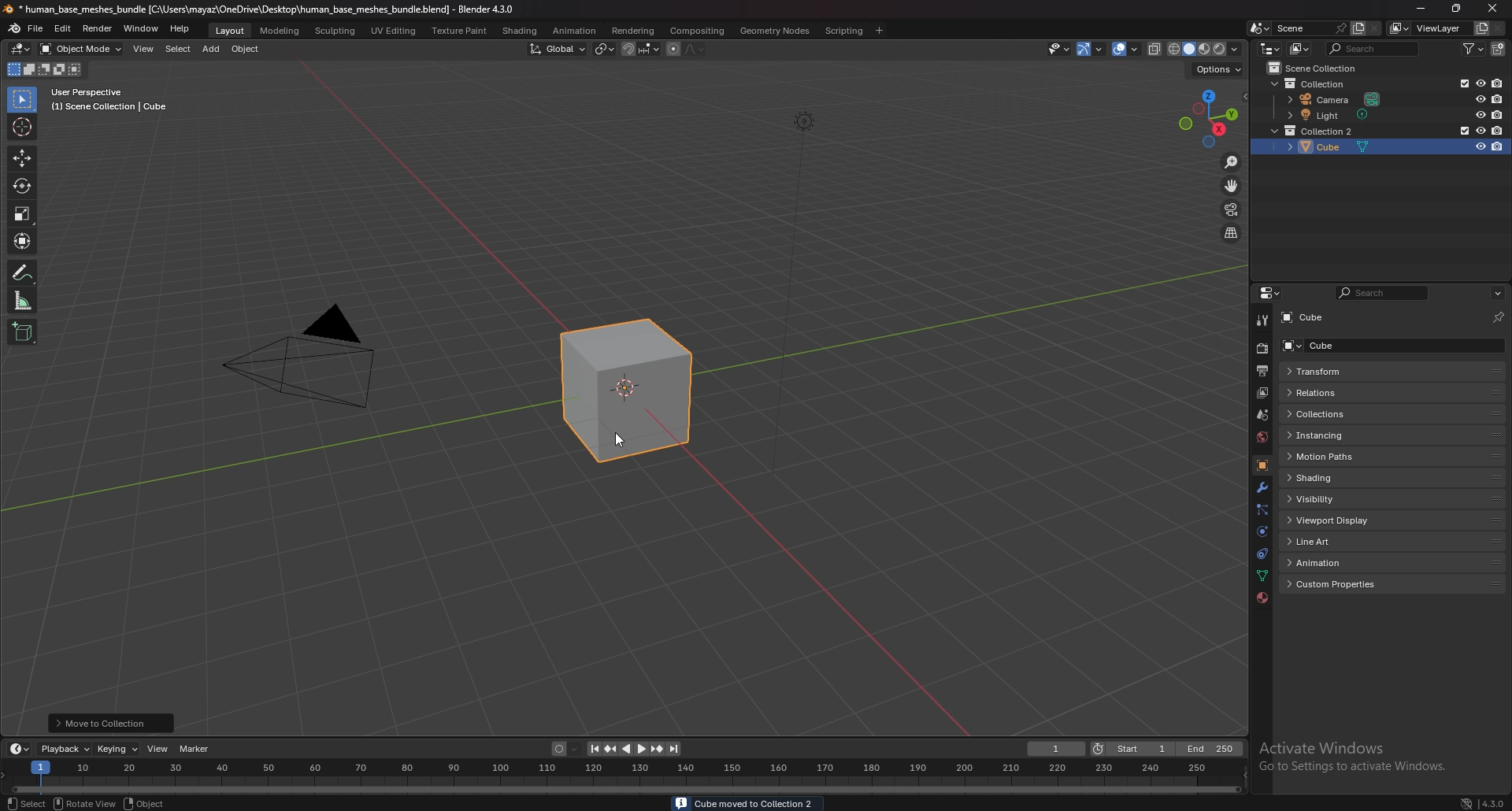 The width and height of the screenshot is (1512, 811). Describe the element at coordinates (1315, 83) in the screenshot. I see `collection` at that location.